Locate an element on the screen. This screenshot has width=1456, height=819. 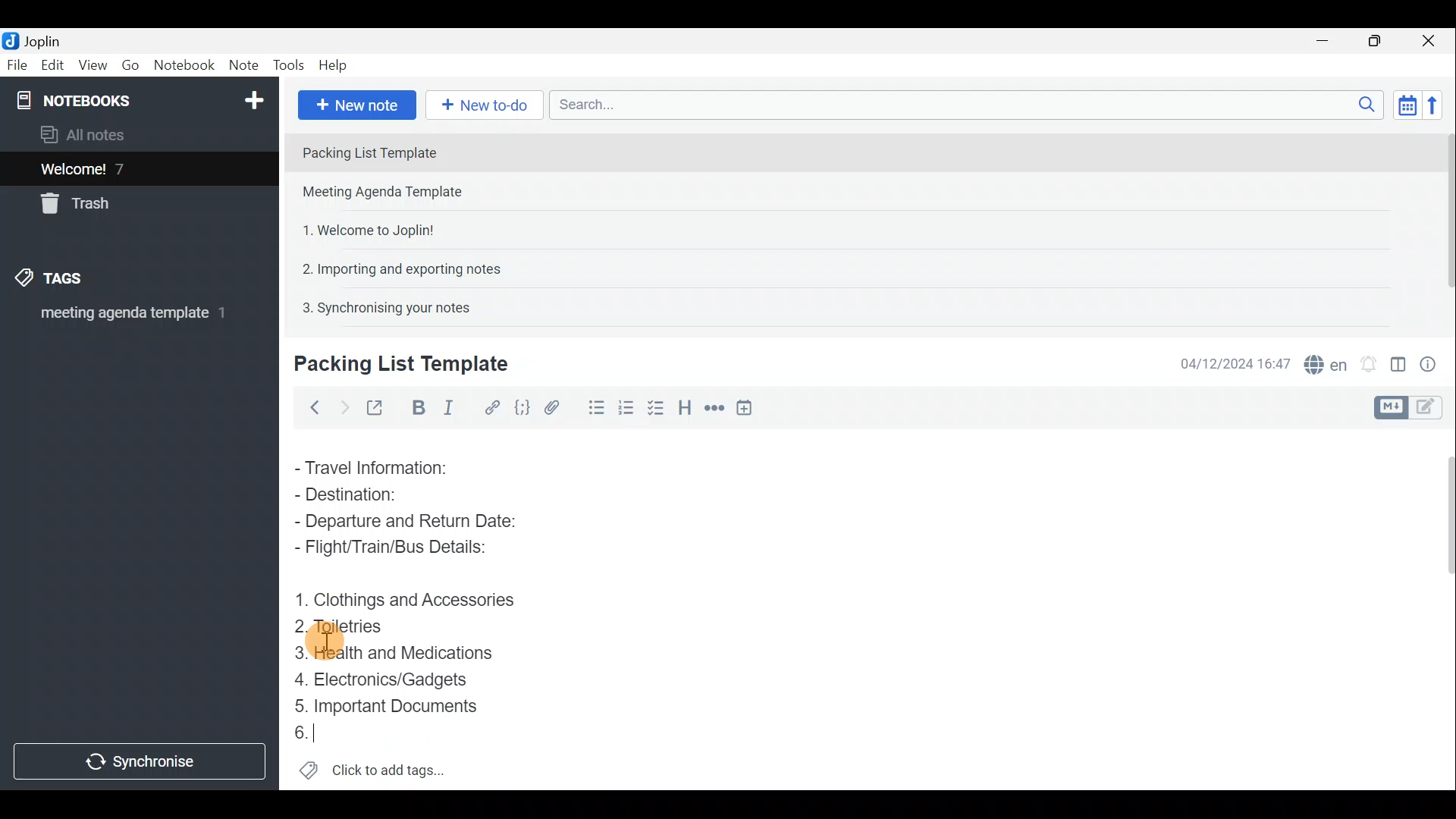
Back is located at coordinates (312, 407).